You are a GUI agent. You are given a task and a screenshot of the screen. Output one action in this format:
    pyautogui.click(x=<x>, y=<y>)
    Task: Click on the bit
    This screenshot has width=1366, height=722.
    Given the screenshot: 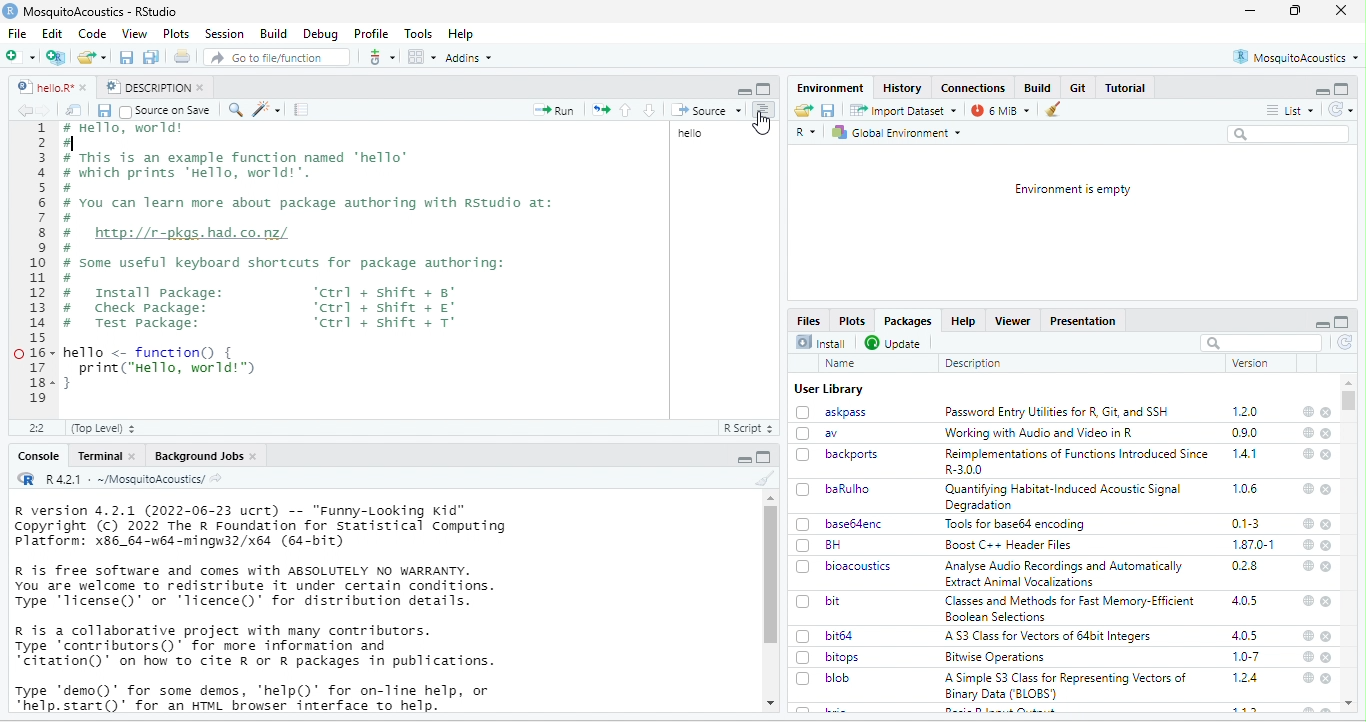 What is the action you would take?
    pyautogui.click(x=820, y=600)
    